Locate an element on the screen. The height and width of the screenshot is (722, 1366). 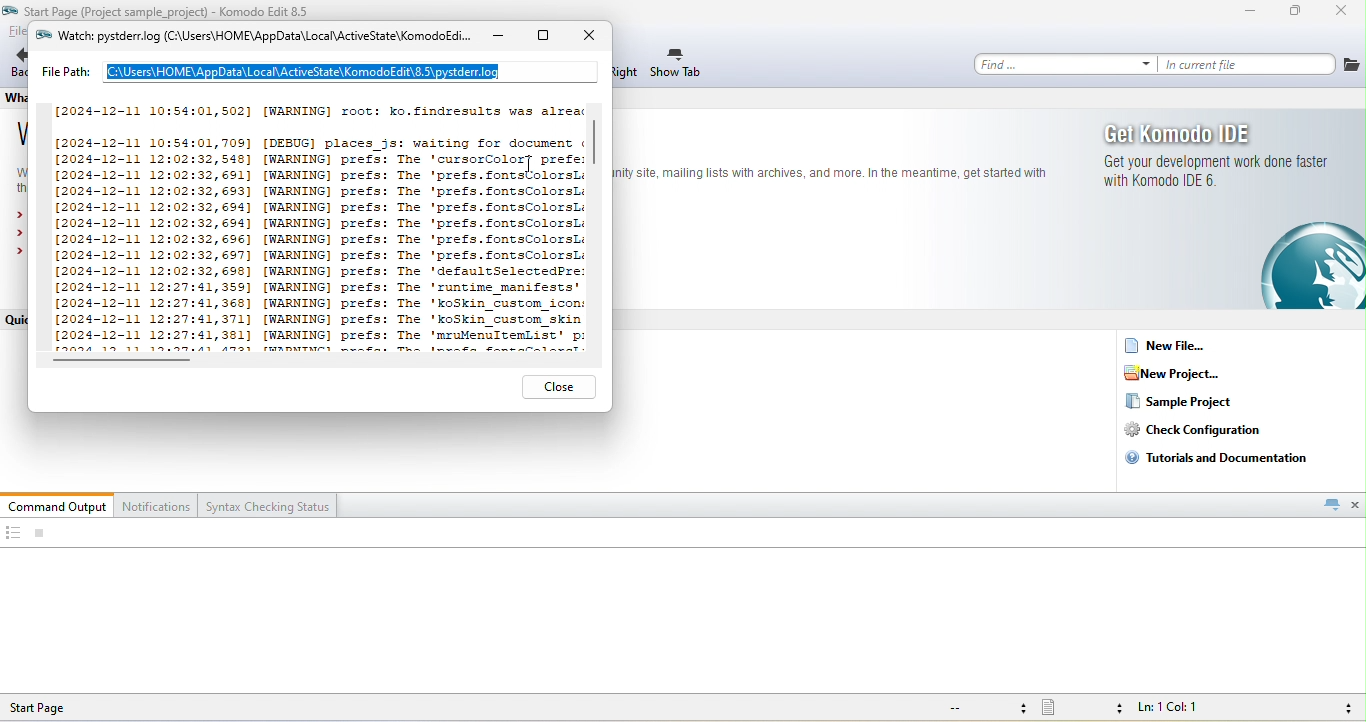
vertical scroll bar is located at coordinates (595, 158).